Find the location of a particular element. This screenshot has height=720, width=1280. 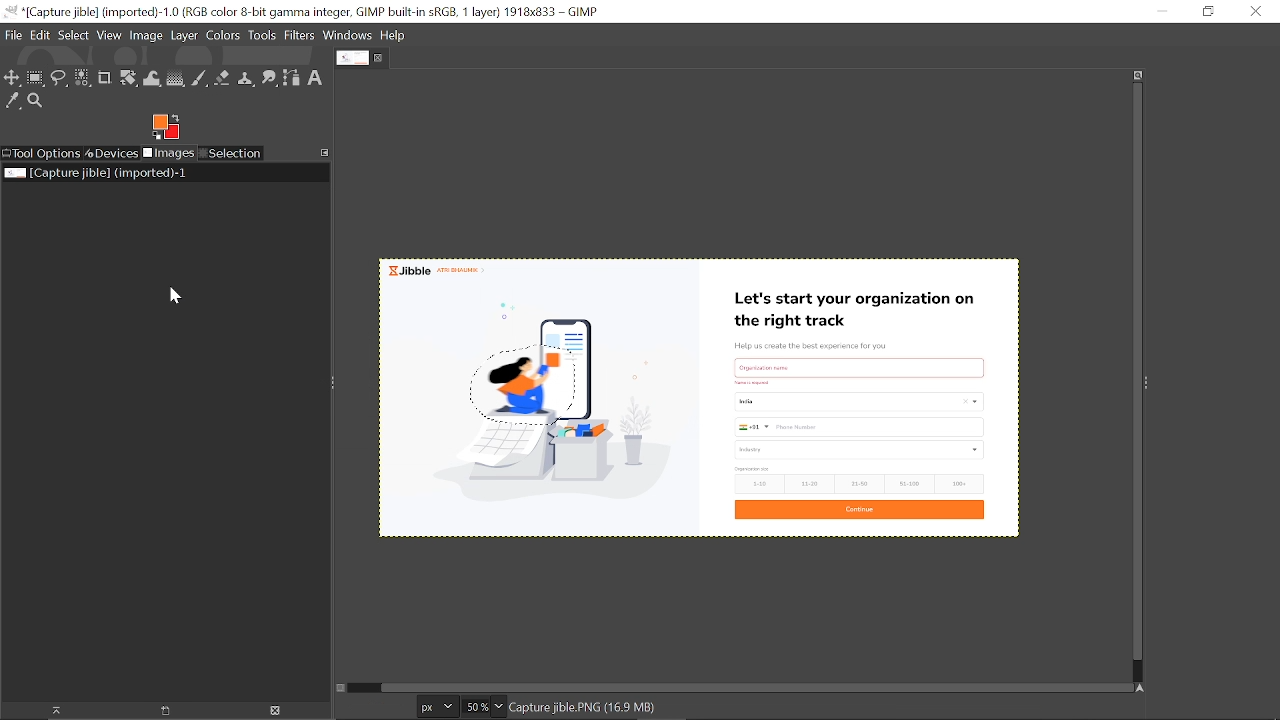

restore down is located at coordinates (1207, 11).